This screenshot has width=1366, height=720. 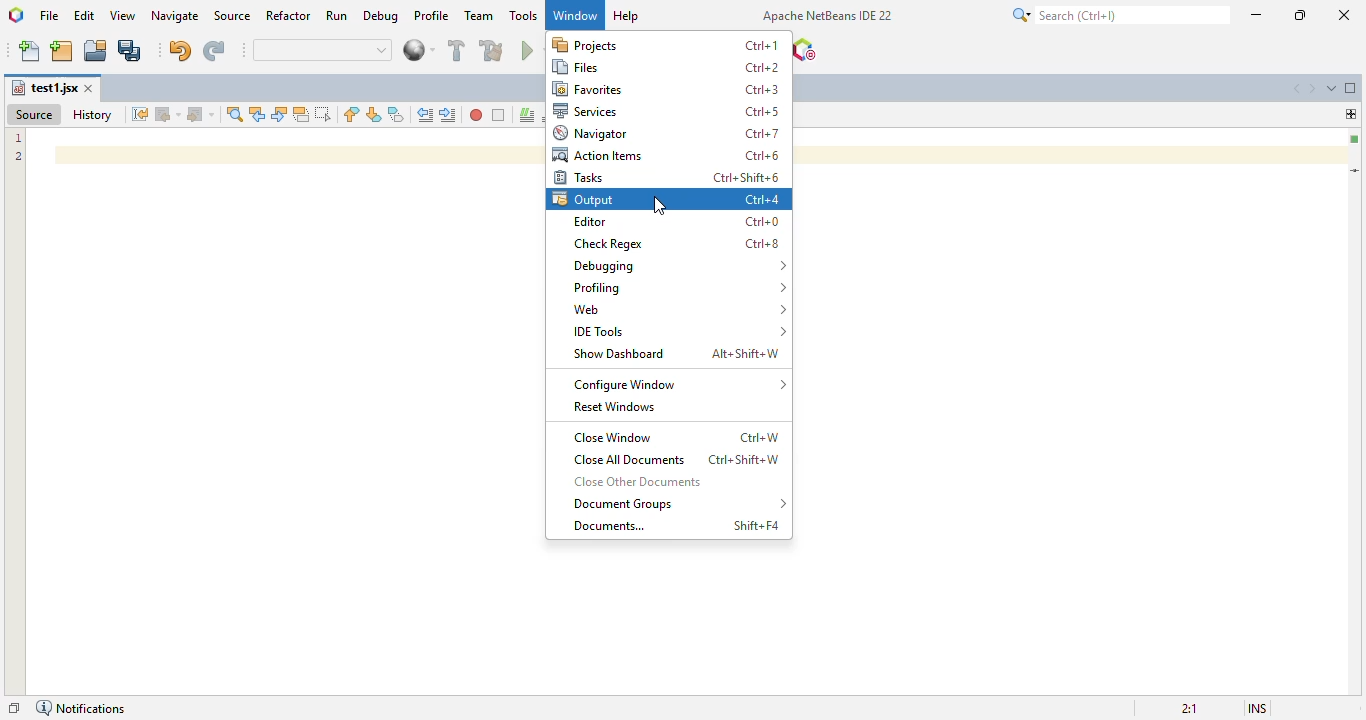 I want to click on save all, so click(x=130, y=51).